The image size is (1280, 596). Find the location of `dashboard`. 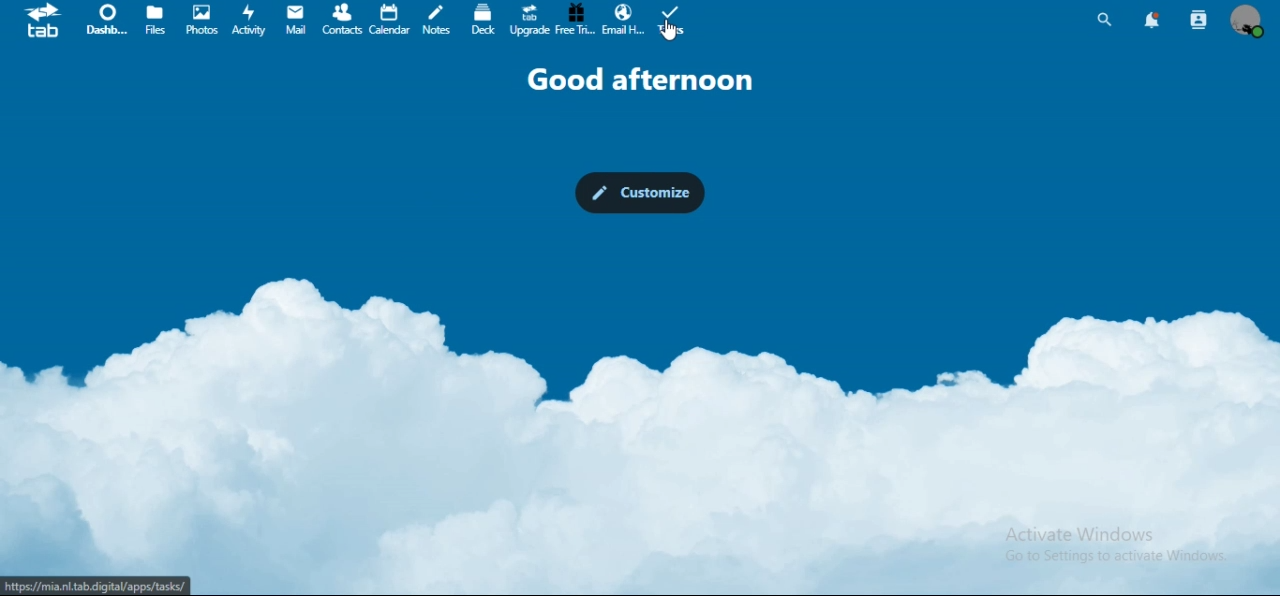

dashboard is located at coordinates (107, 19).